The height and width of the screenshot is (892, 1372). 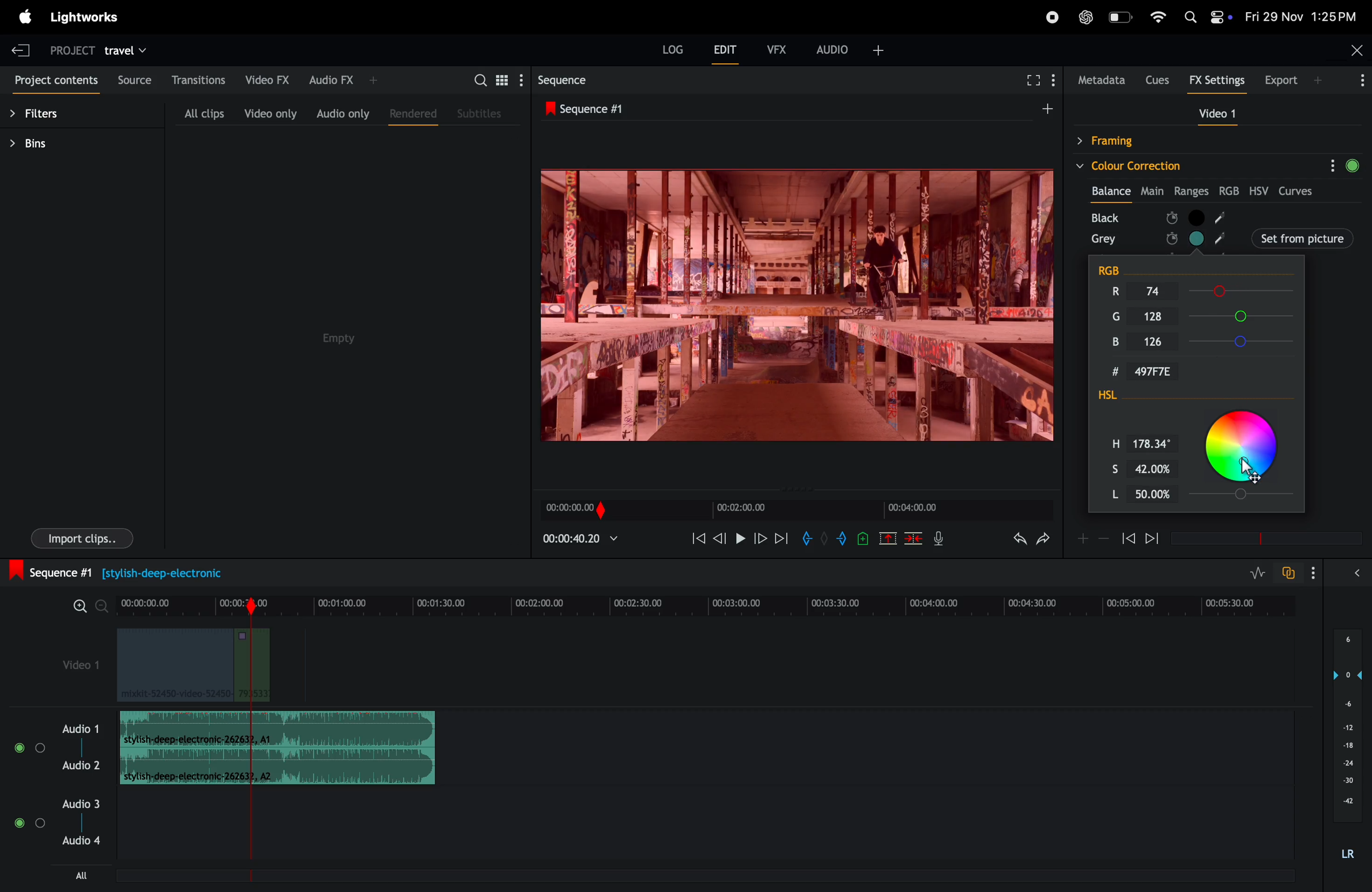 I want to click on delete, so click(x=914, y=540).